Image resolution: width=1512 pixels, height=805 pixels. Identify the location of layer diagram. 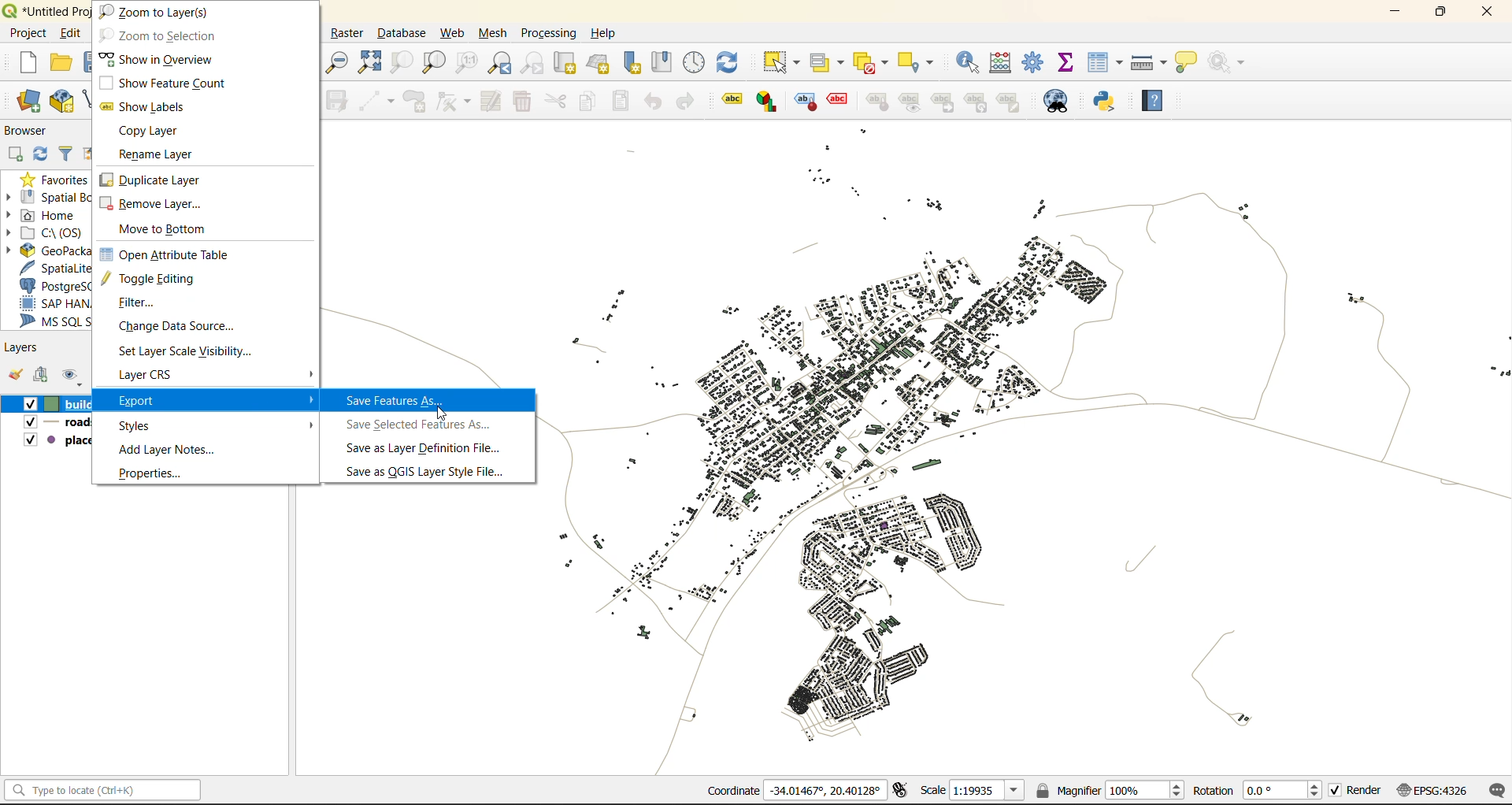
(770, 102).